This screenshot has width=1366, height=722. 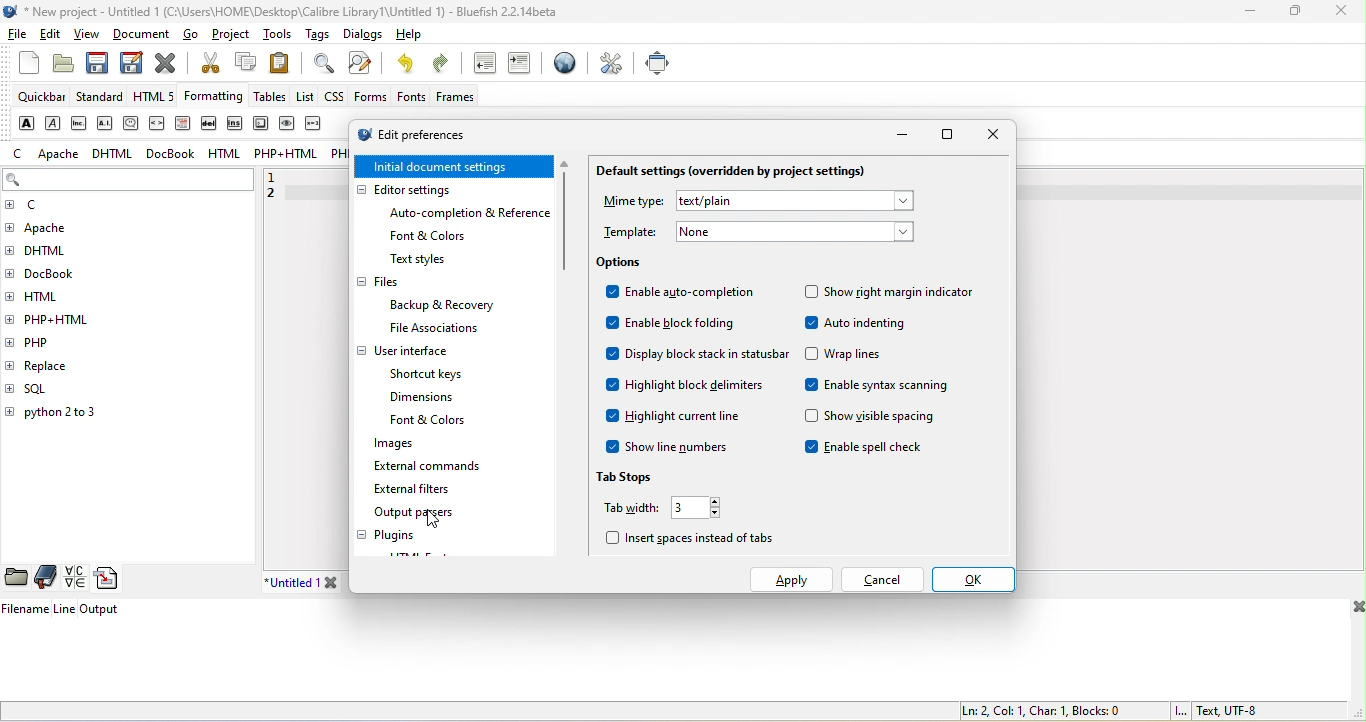 What do you see at coordinates (81, 122) in the screenshot?
I see `abbreviation` at bounding box center [81, 122].